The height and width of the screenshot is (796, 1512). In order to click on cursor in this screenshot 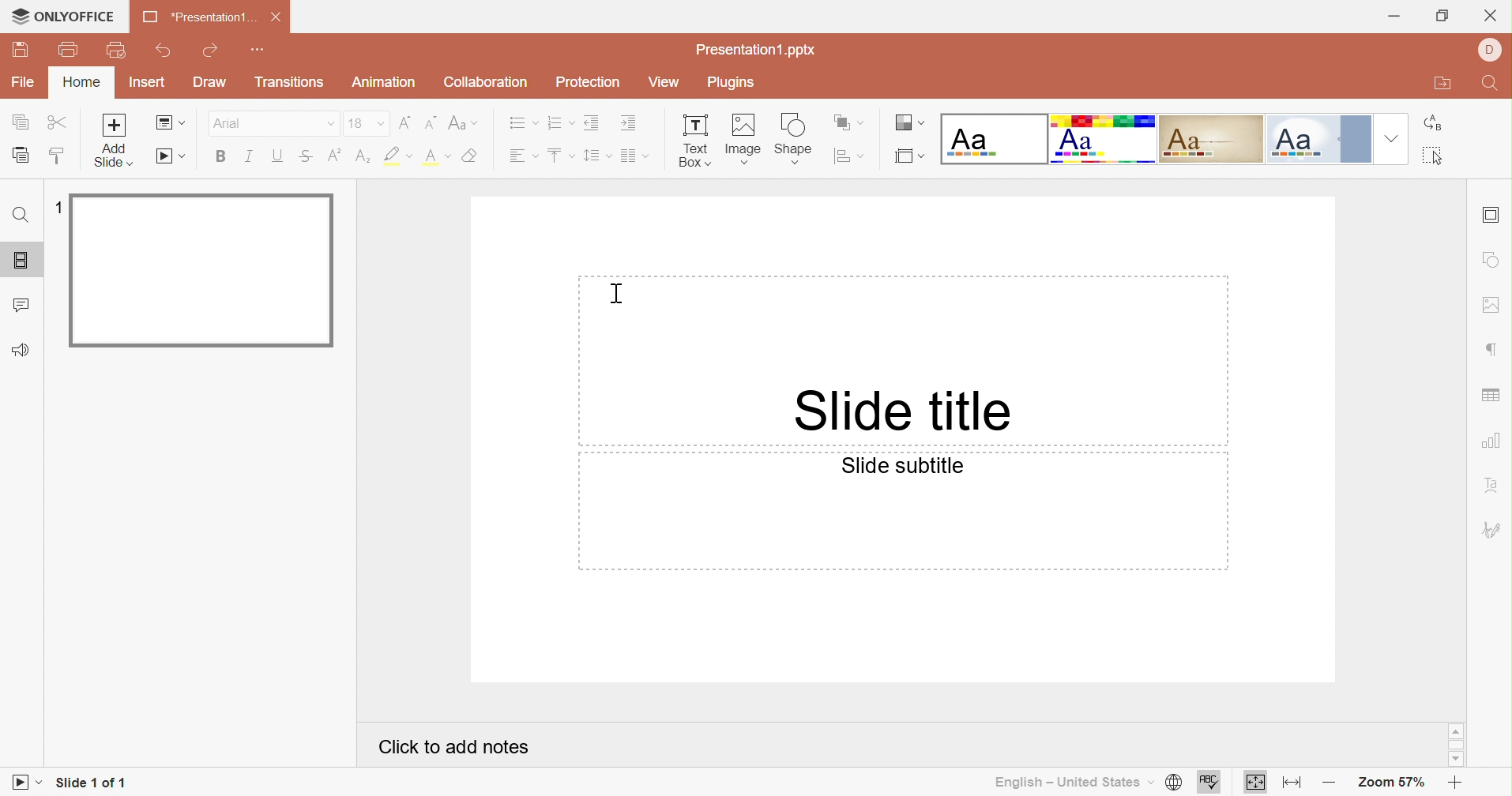, I will do `click(17, 15)`.